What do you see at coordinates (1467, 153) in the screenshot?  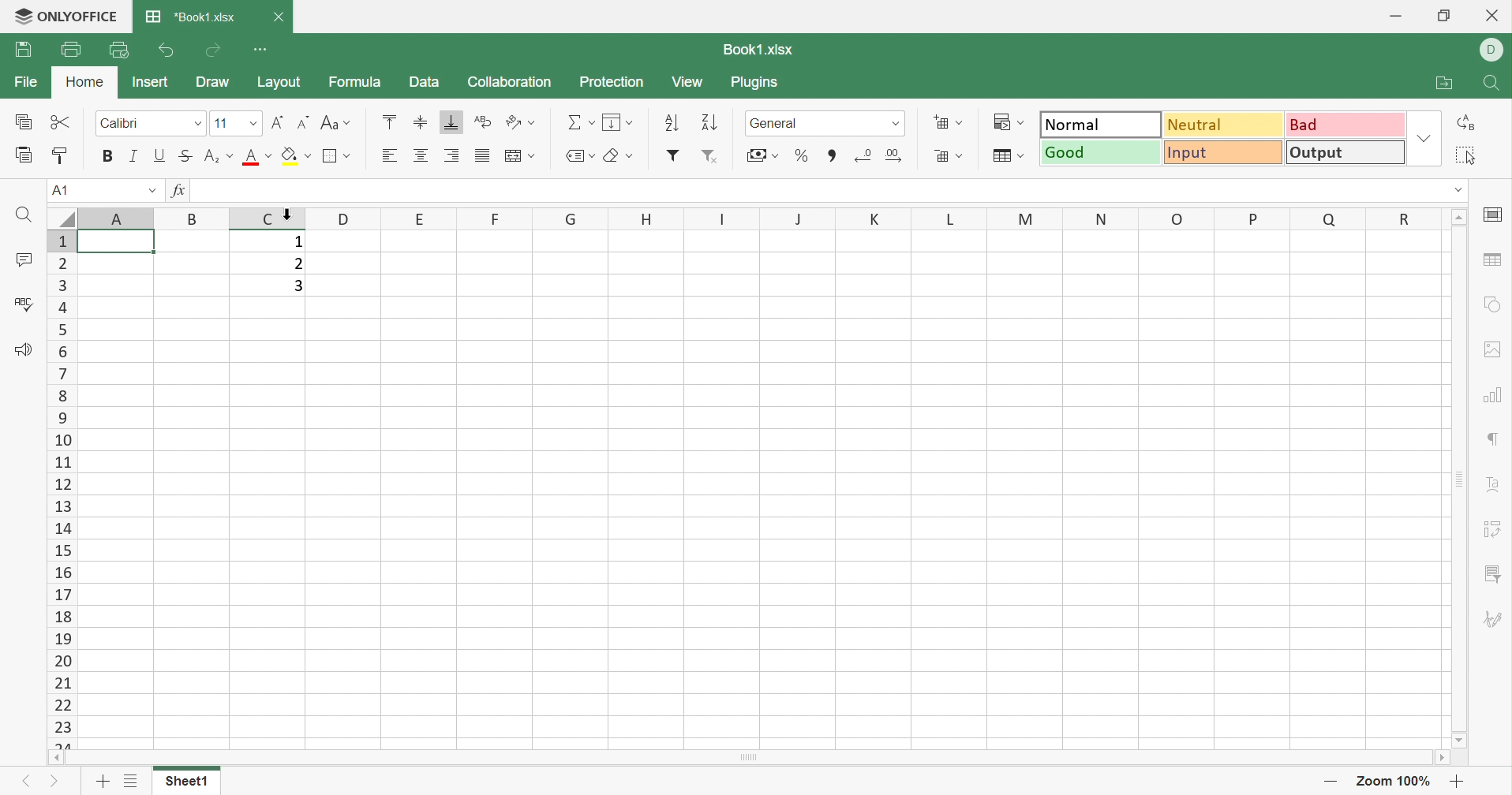 I see `Select all` at bounding box center [1467, 153].